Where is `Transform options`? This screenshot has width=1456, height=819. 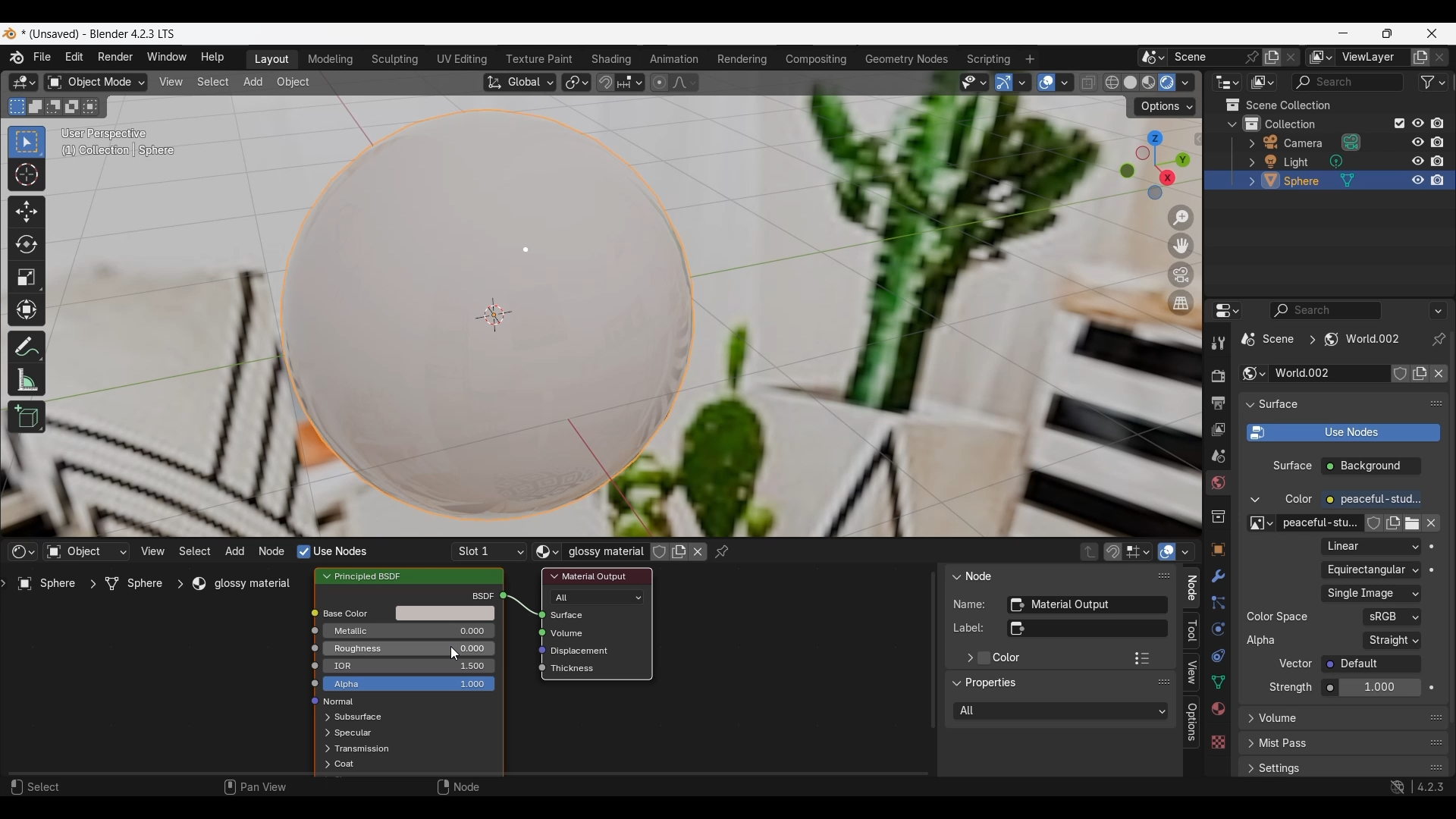 Transform options is located at coordinates (1165, 107).